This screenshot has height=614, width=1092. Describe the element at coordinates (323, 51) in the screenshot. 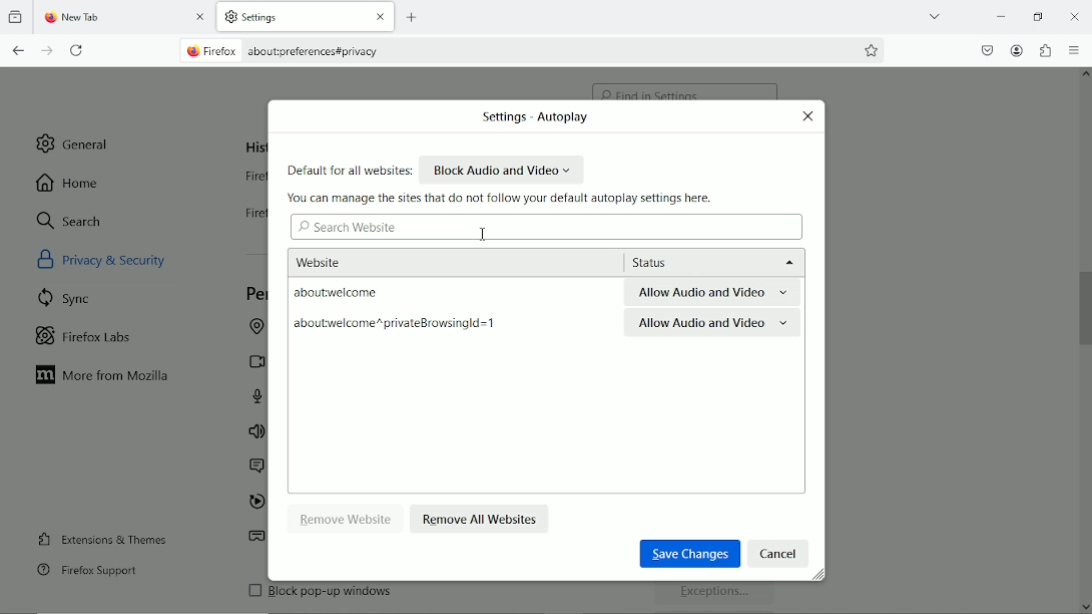

I see `about:oreferences#privacy` at that location.